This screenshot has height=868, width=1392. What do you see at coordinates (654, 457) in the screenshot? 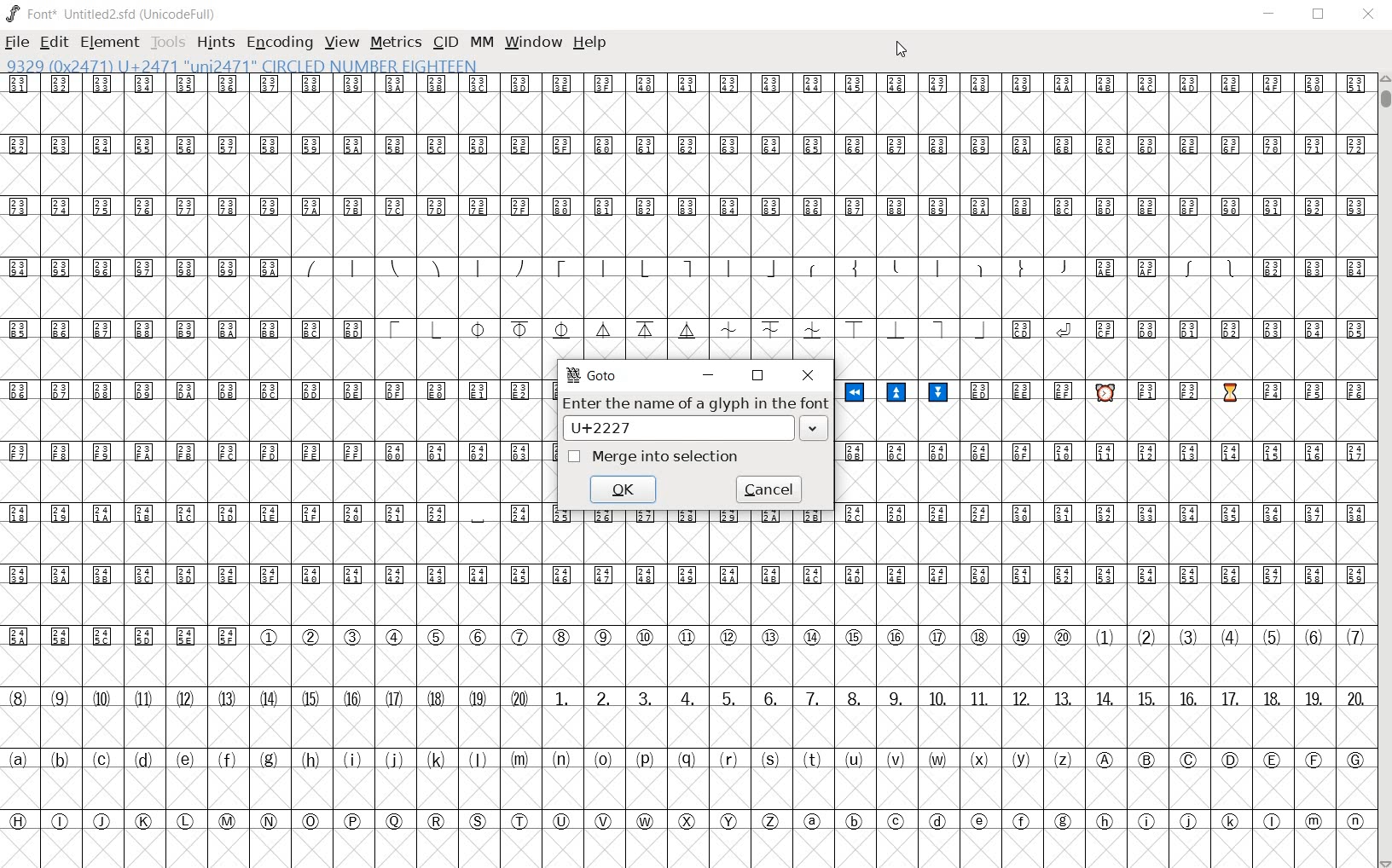
I see `Merge into selection` at bounding box center [654, 457].